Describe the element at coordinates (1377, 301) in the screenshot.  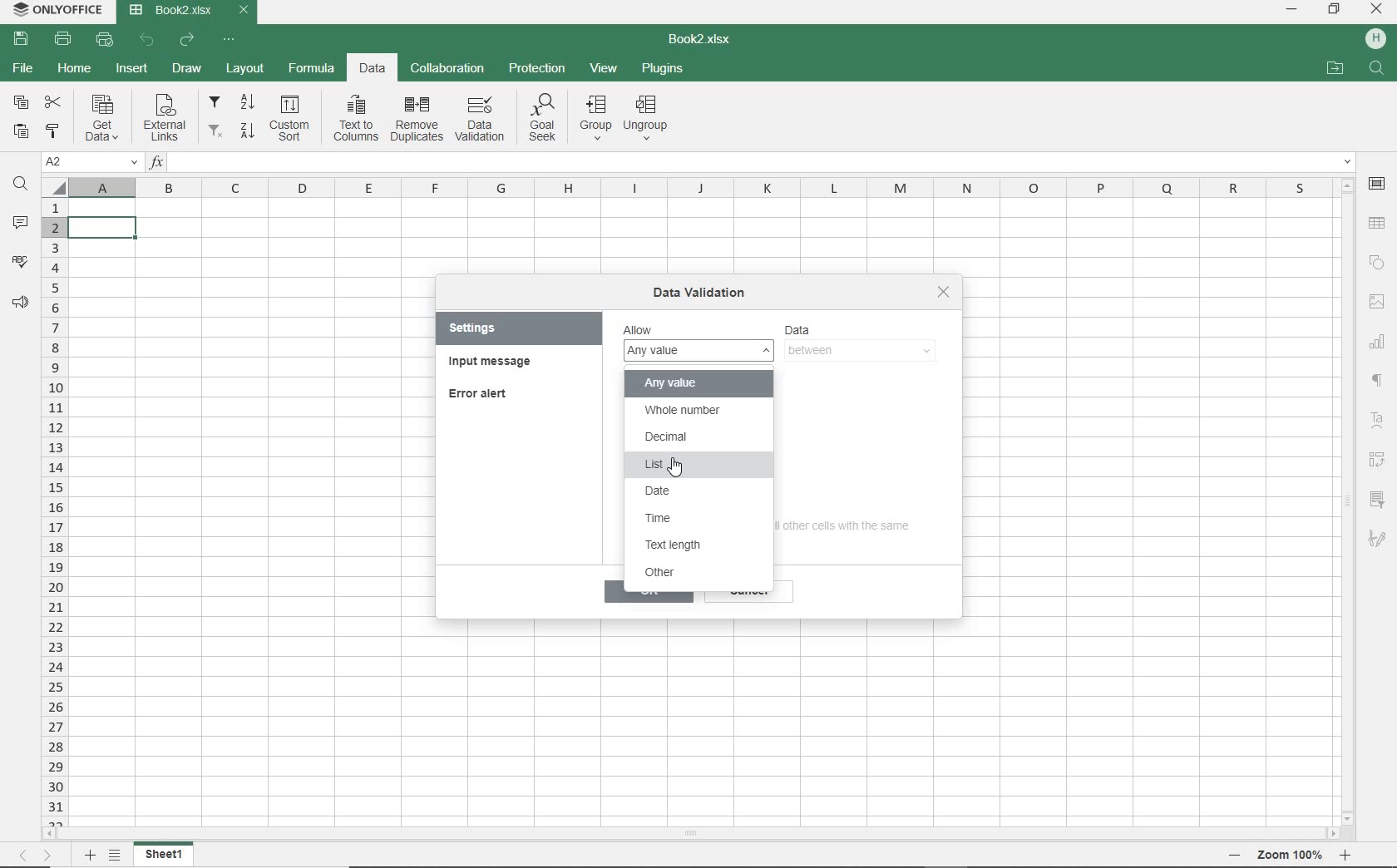
I see `IMAGE` at that location.